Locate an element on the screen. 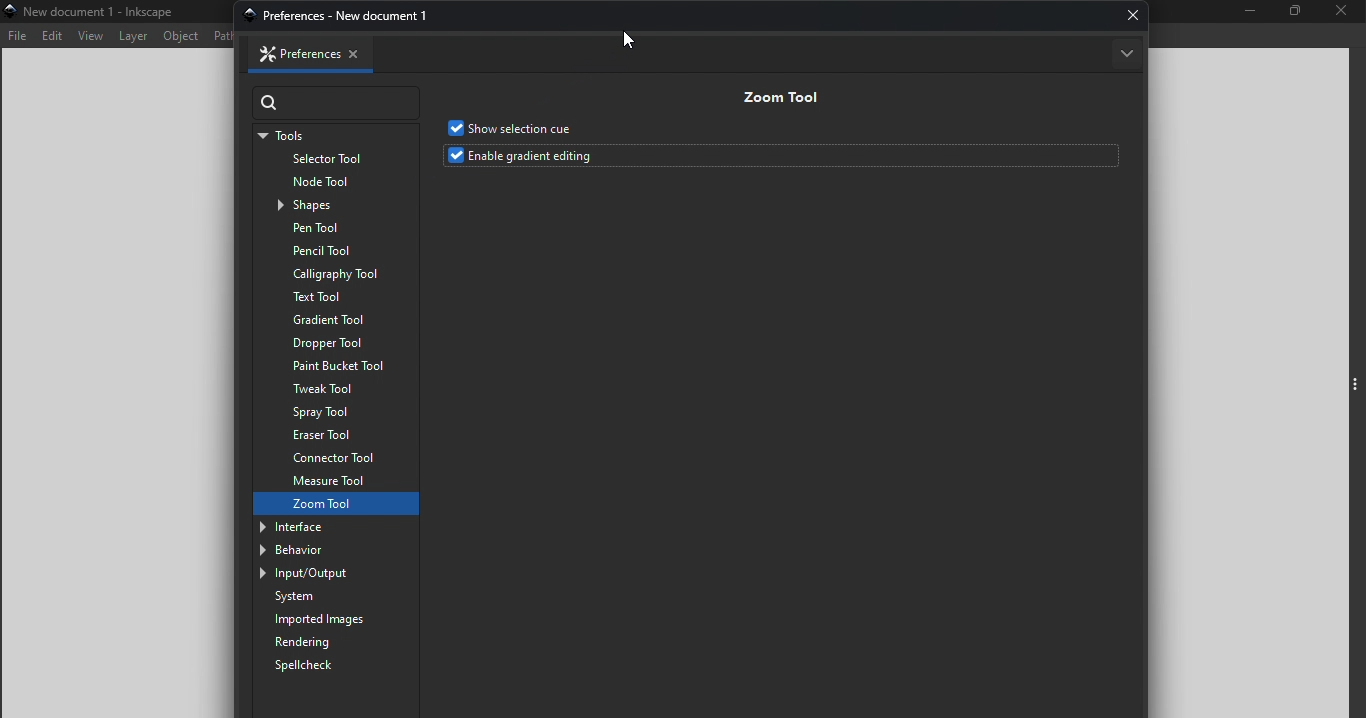  Eraser tool is located at coordinates (338, 433).